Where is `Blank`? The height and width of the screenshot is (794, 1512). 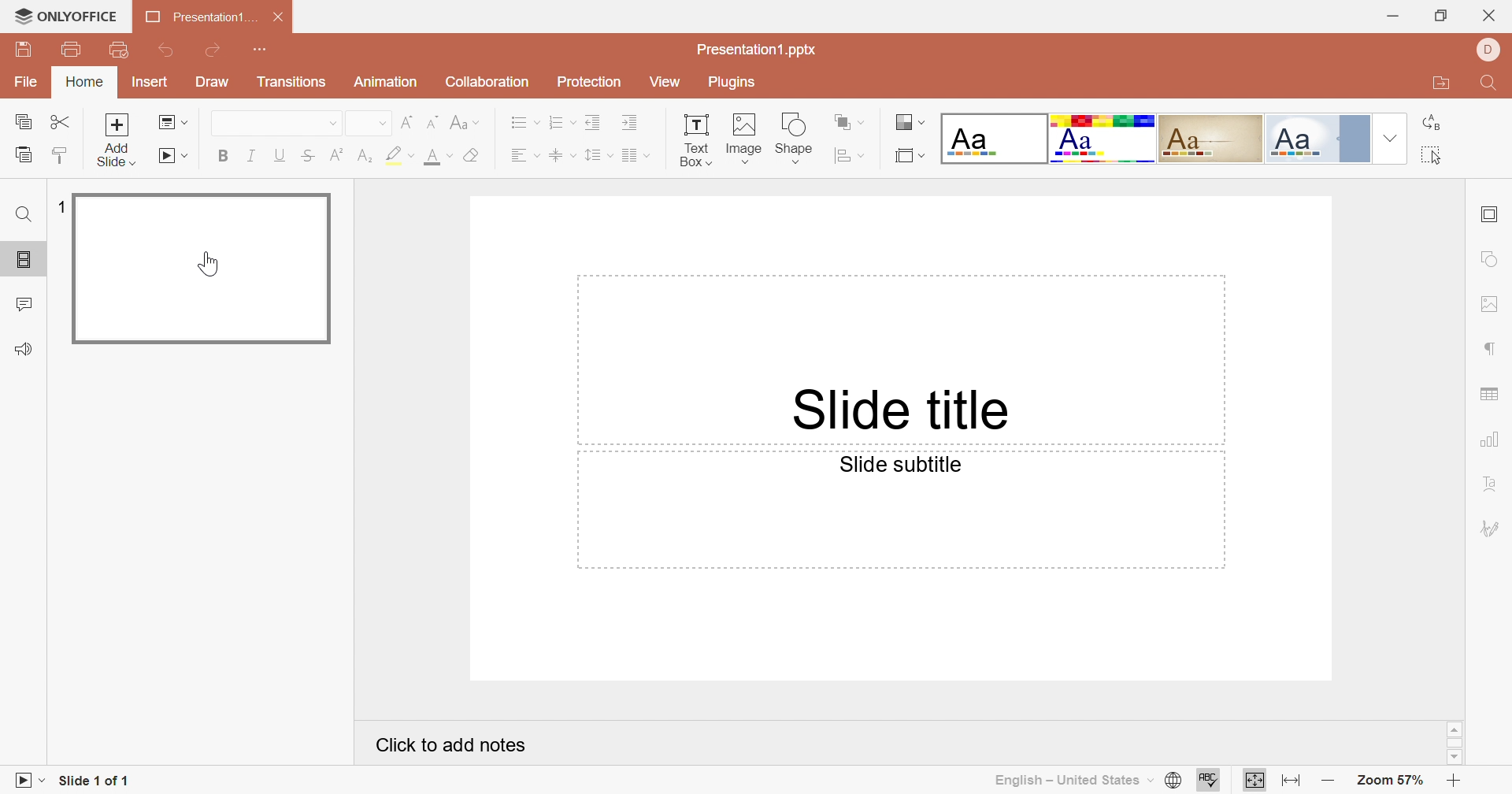 Blank is located at coordinates (995, 136).